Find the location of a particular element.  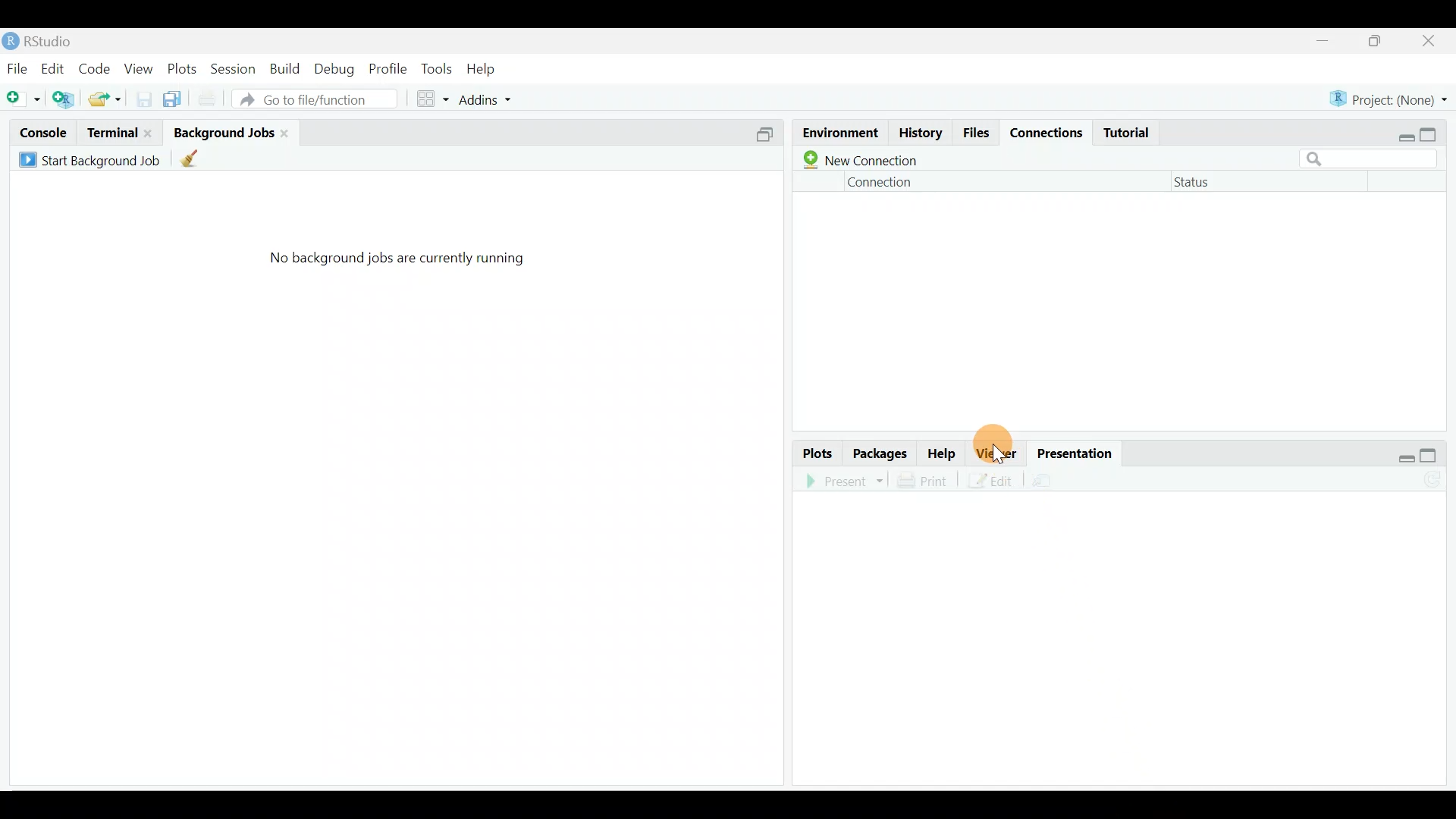

Restore down is located at coordinates (1402, 134).